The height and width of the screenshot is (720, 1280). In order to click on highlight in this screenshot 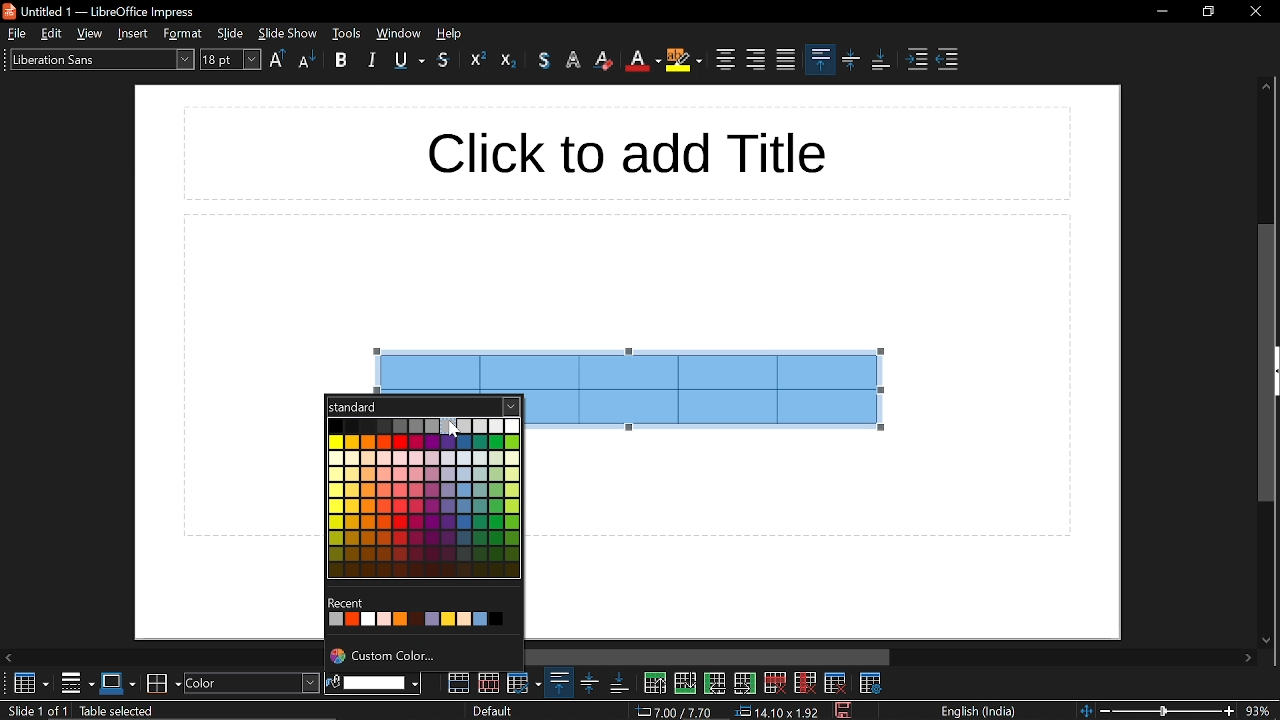, I will do `click(685, 60)`.